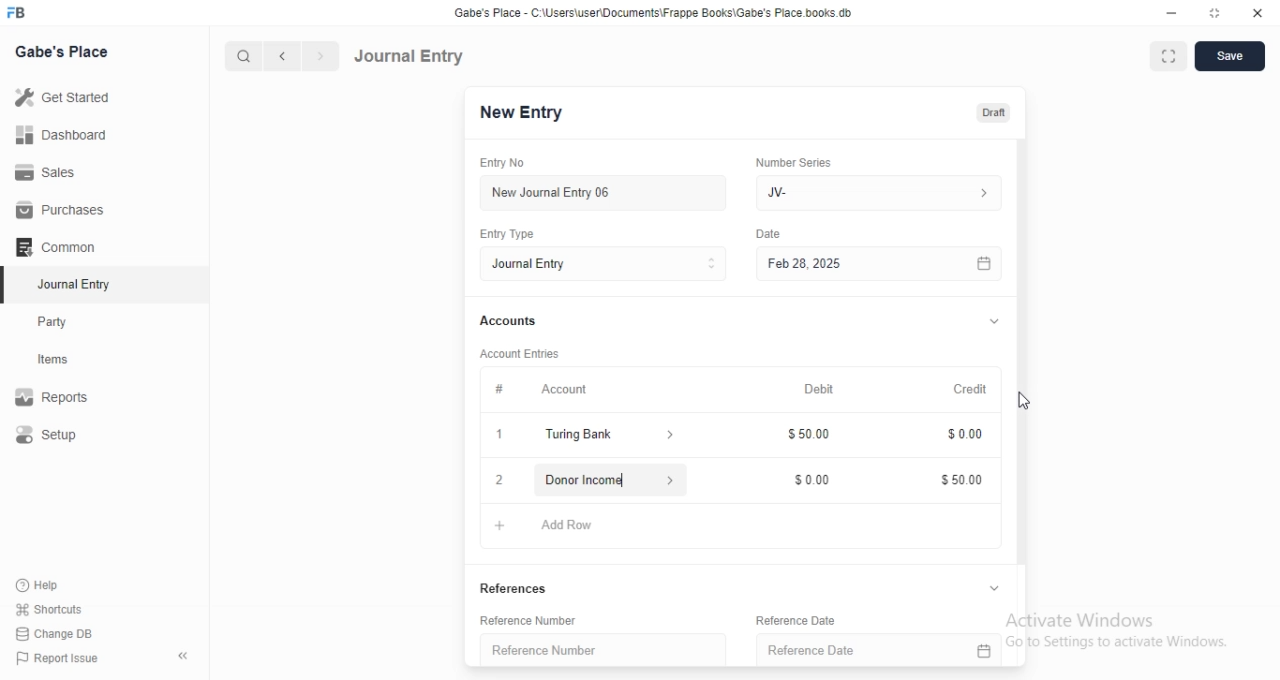 Image resolution: width=1280 pixels, height=680 pixels. What do you see at coordinates (520, 586) in the screenshot?
I see `References` at bounding box center [520, 586].